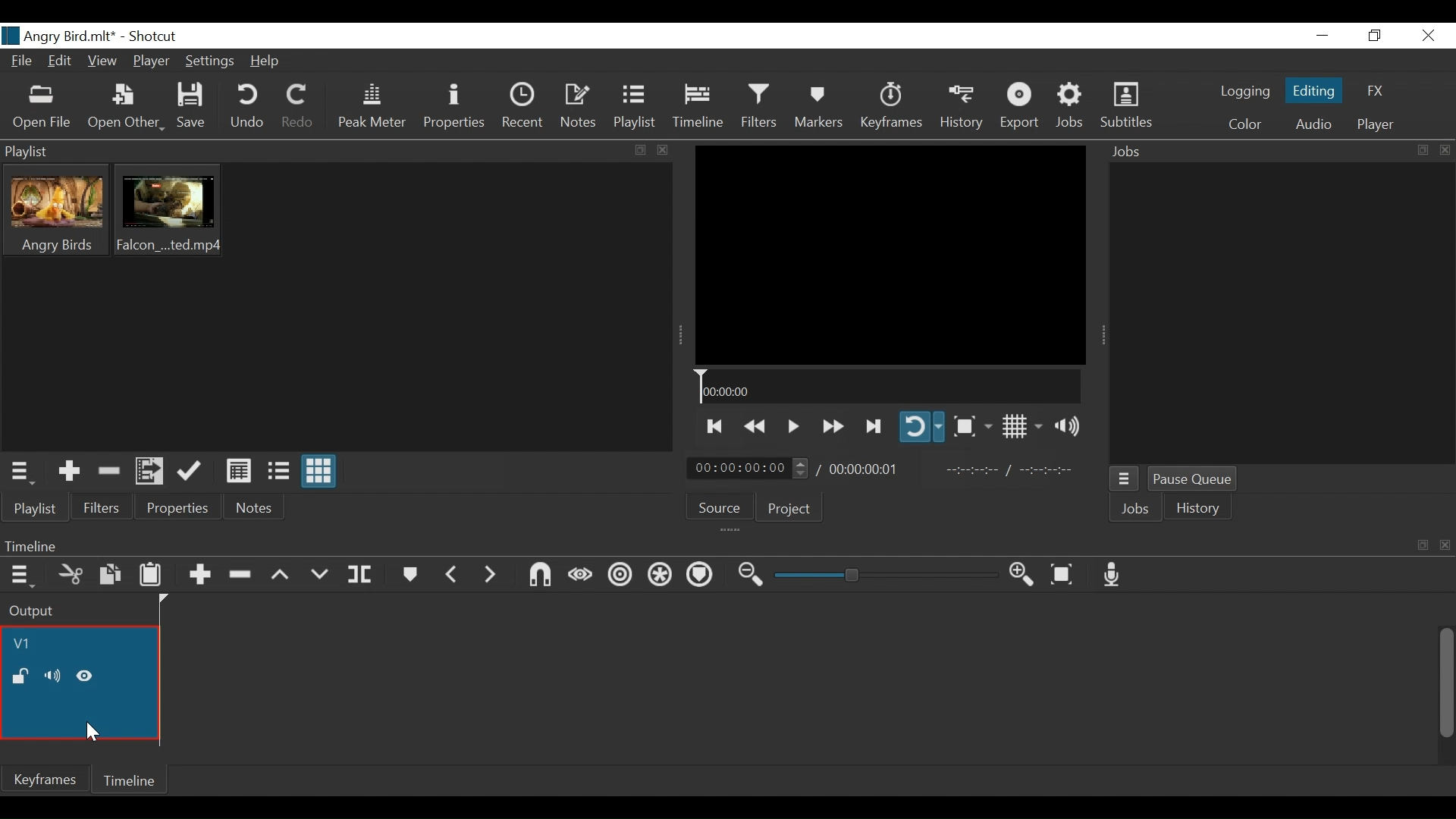  I want to click on Player, so click(151, 61).